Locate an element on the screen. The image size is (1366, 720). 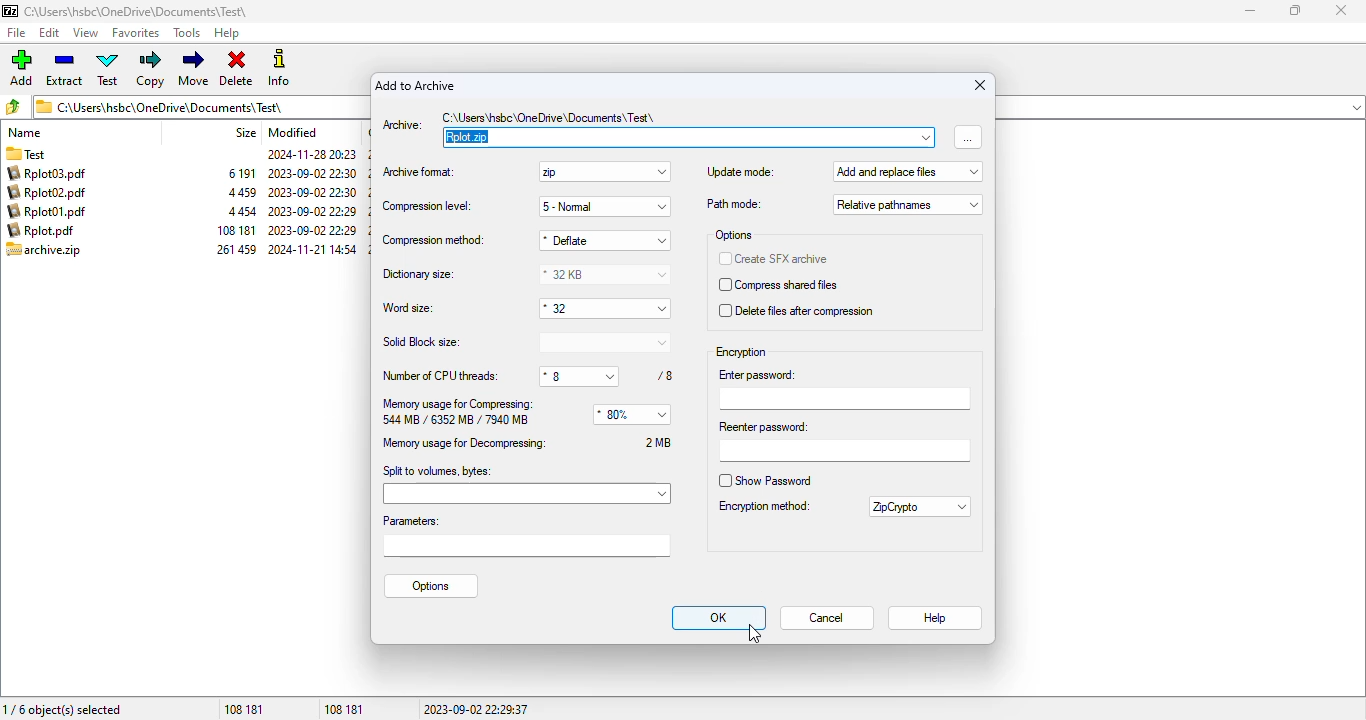
close is located at coordinates (980, 84).